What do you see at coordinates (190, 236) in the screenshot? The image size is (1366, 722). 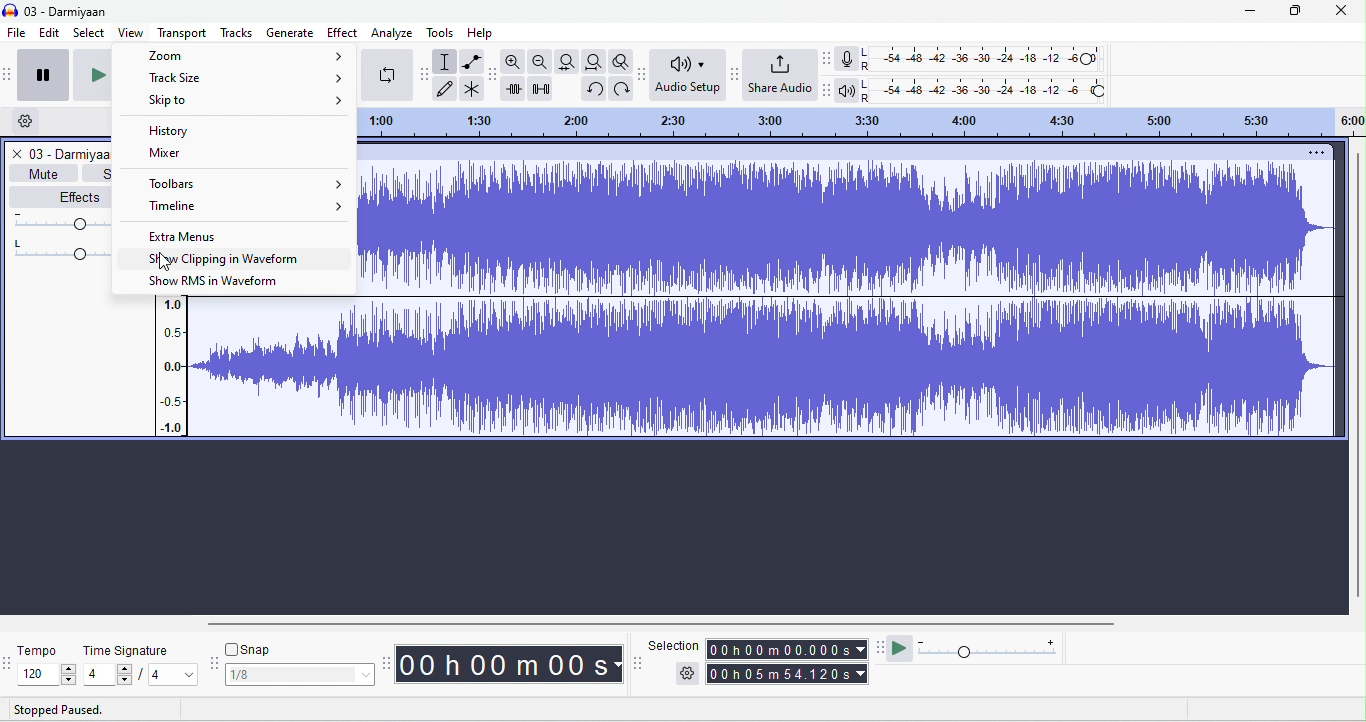 I see `extra menus` at bounding box center [190, 236].